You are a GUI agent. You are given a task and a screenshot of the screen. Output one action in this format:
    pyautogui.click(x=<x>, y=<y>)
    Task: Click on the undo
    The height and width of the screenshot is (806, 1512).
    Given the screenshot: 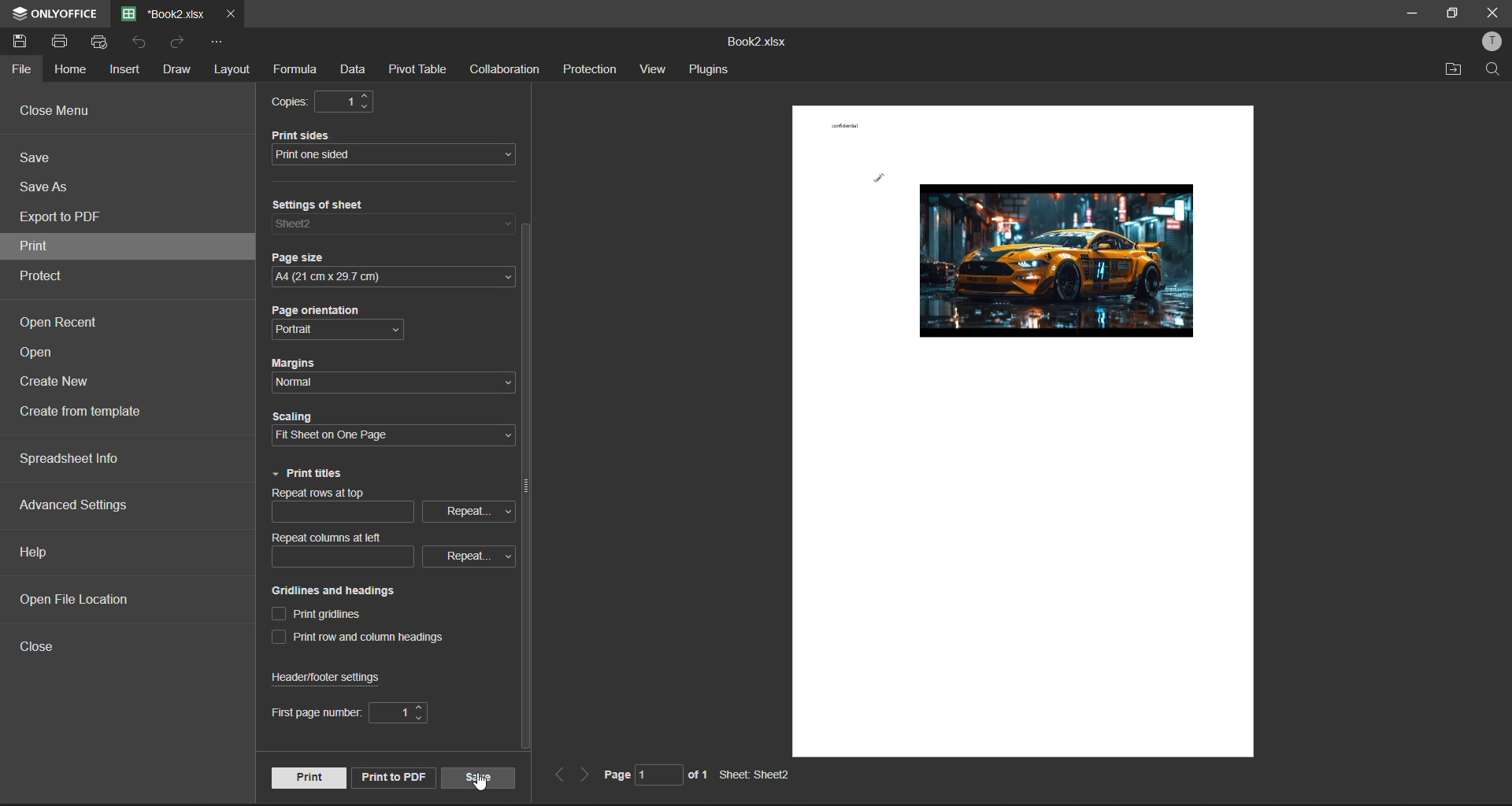 What is the action you would take?
    pyautogui.click(x=145, y=45)
    